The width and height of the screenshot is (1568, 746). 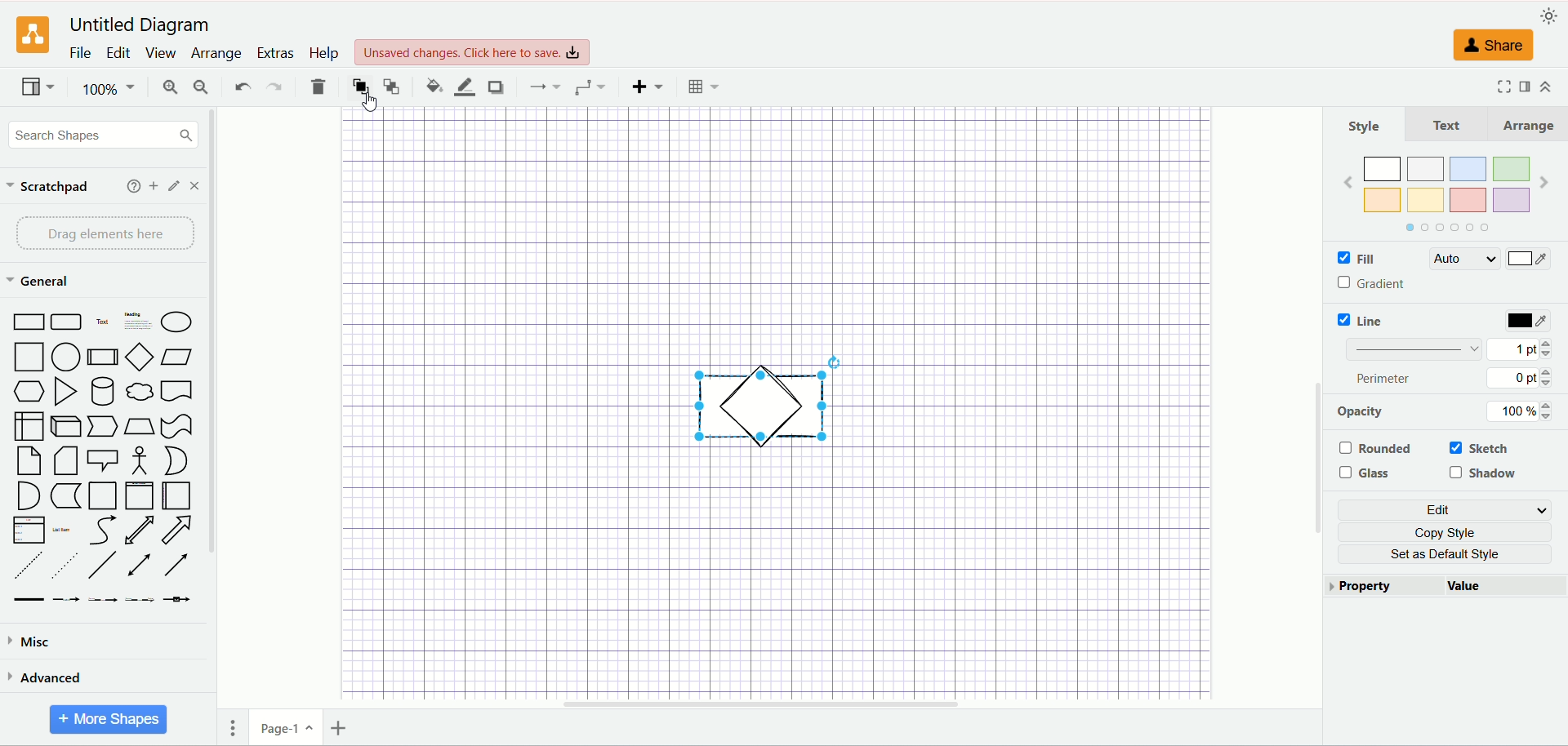 What do you see at coordinates (1481, 447) in the screenshot?
I see `sketch` at bounding box center [1481, 447].